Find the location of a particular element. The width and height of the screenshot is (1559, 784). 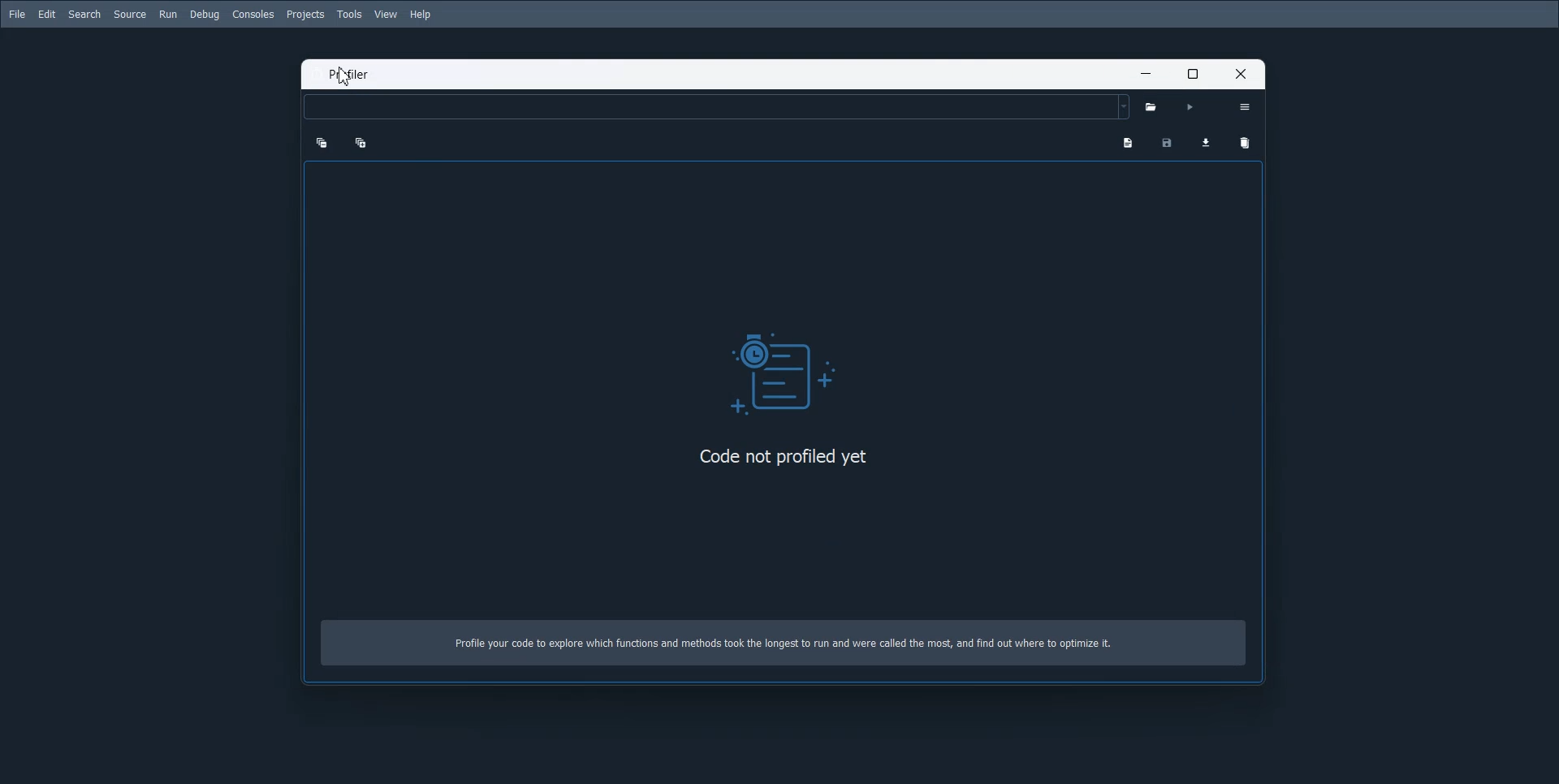

View is located at coordinates (387, 14).